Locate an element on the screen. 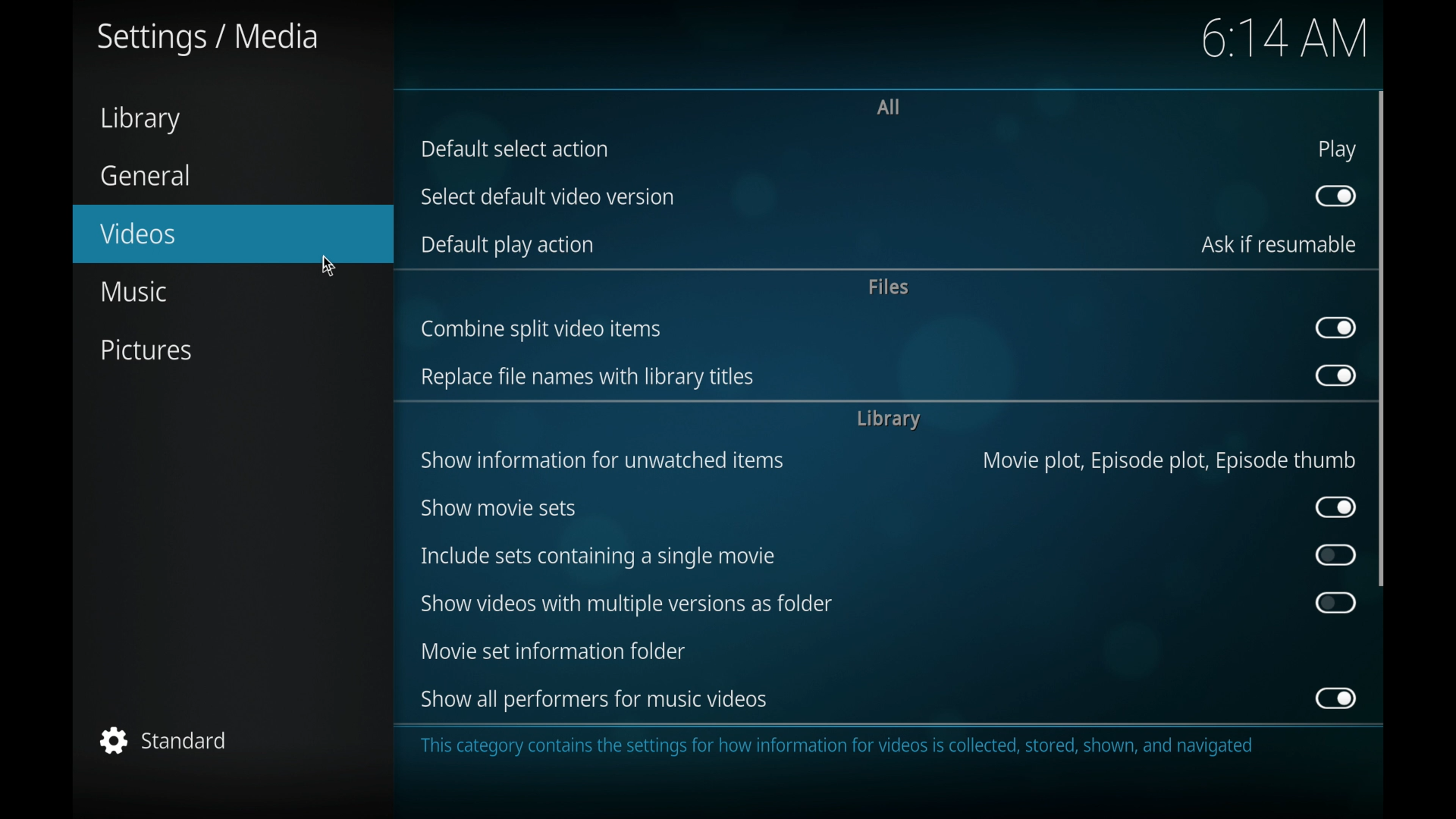  toggle button is located at coordinates (1336, 196).